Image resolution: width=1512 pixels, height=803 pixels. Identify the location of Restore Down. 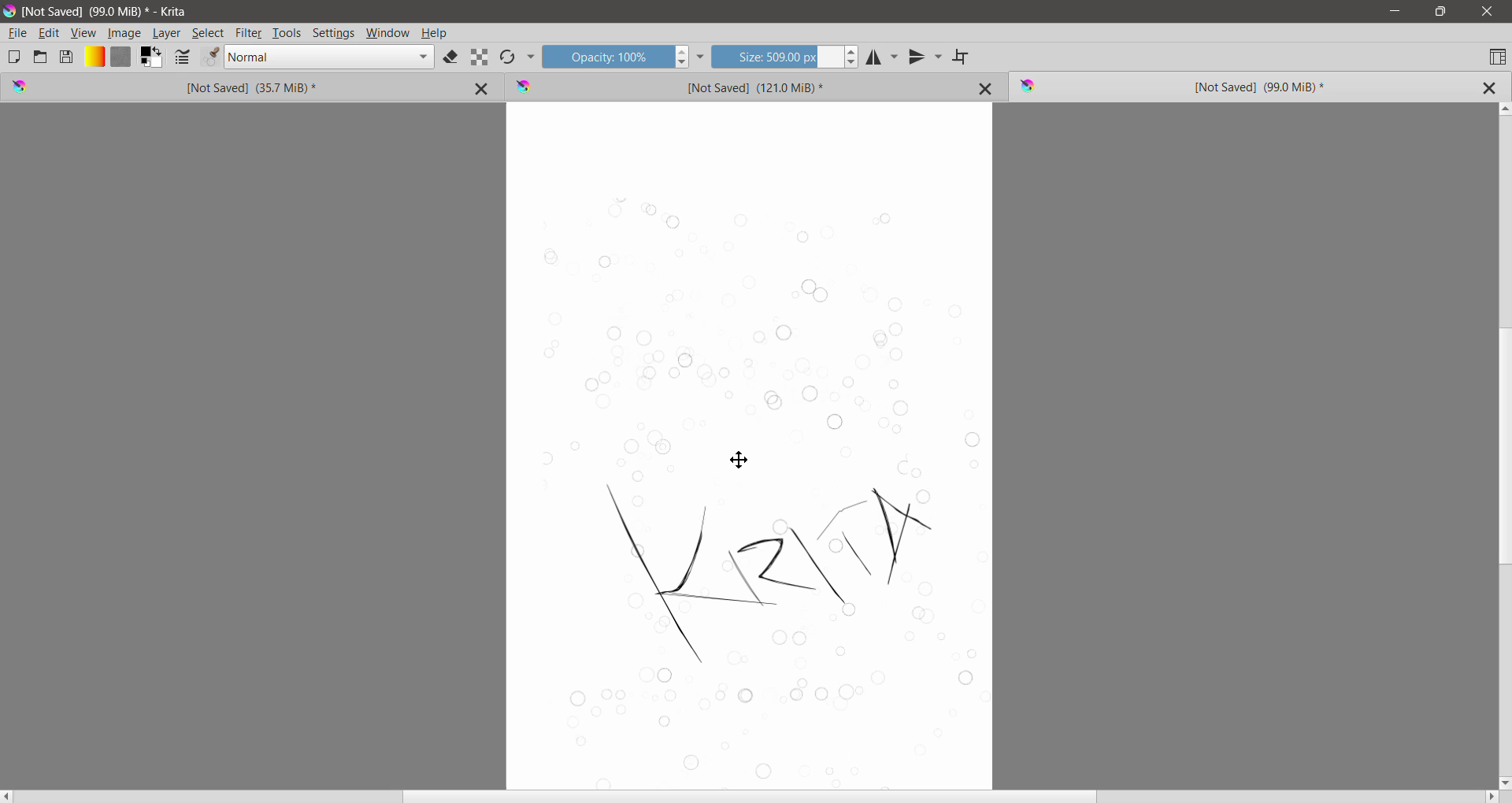
(1440, 12).